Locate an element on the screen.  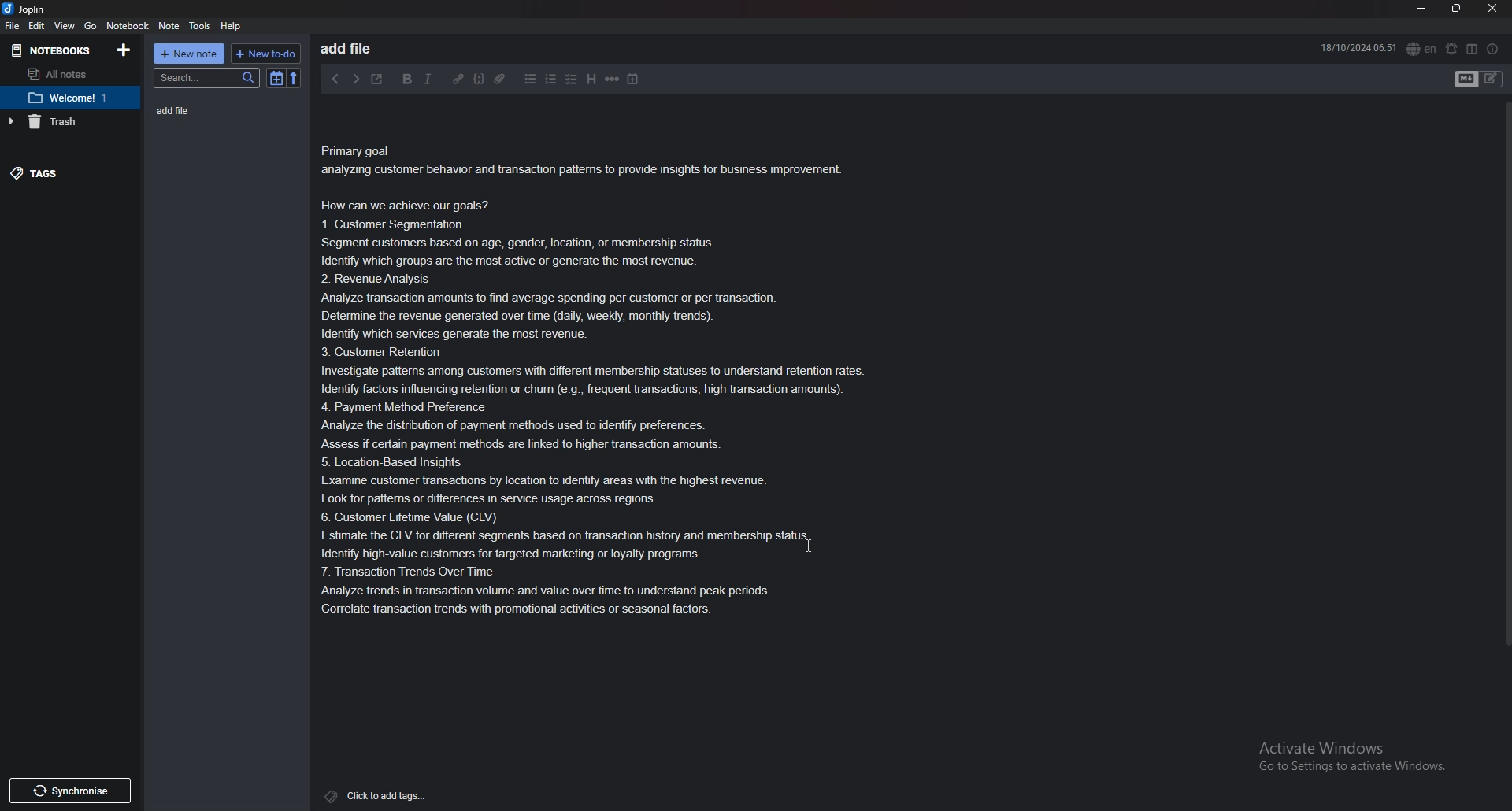
Toggle editor layout is located at coordinates (1472, 48).